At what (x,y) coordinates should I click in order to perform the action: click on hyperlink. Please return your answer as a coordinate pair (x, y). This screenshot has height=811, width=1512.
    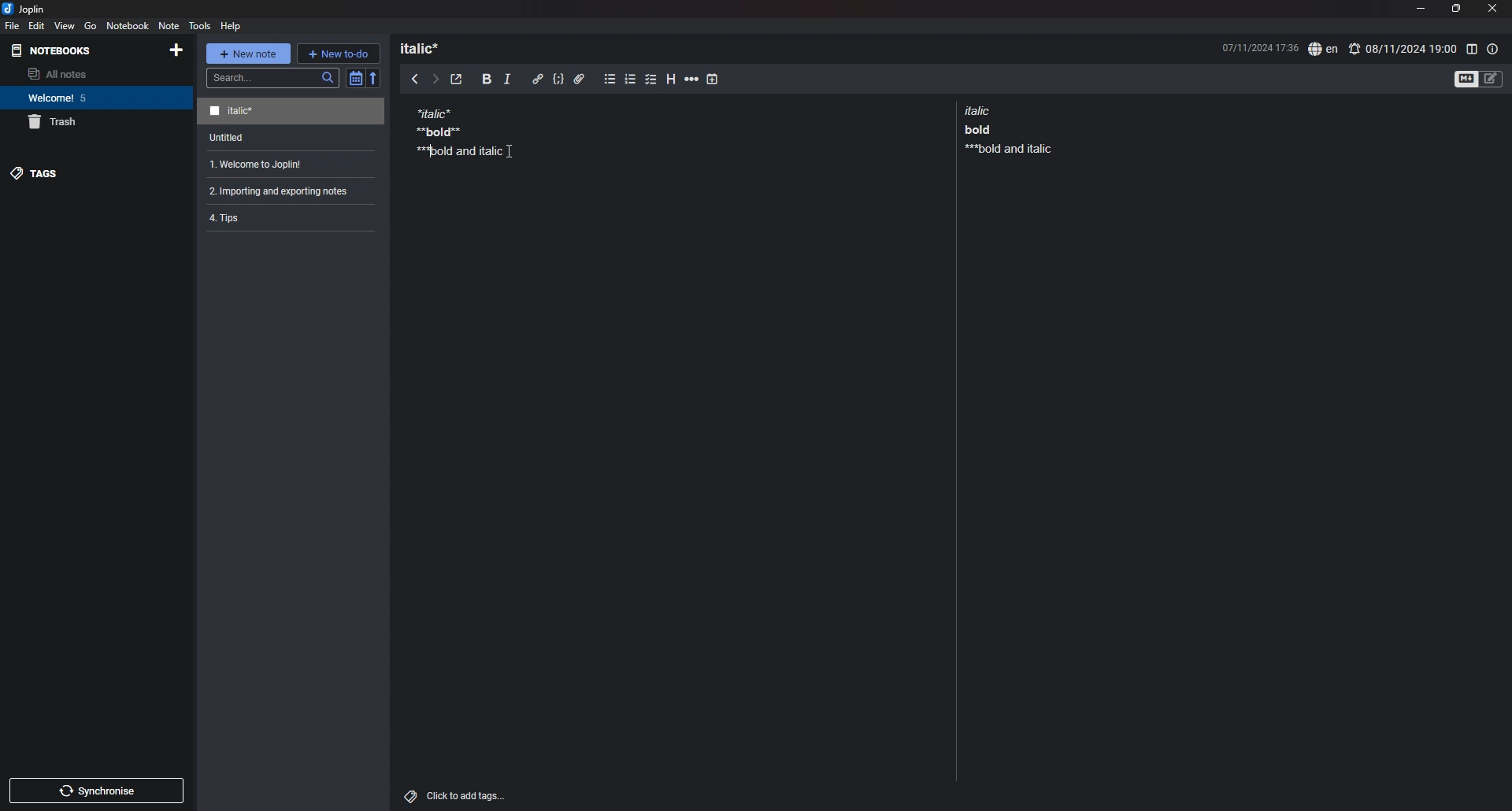
    Looking at the image, I should click on (538, 79).